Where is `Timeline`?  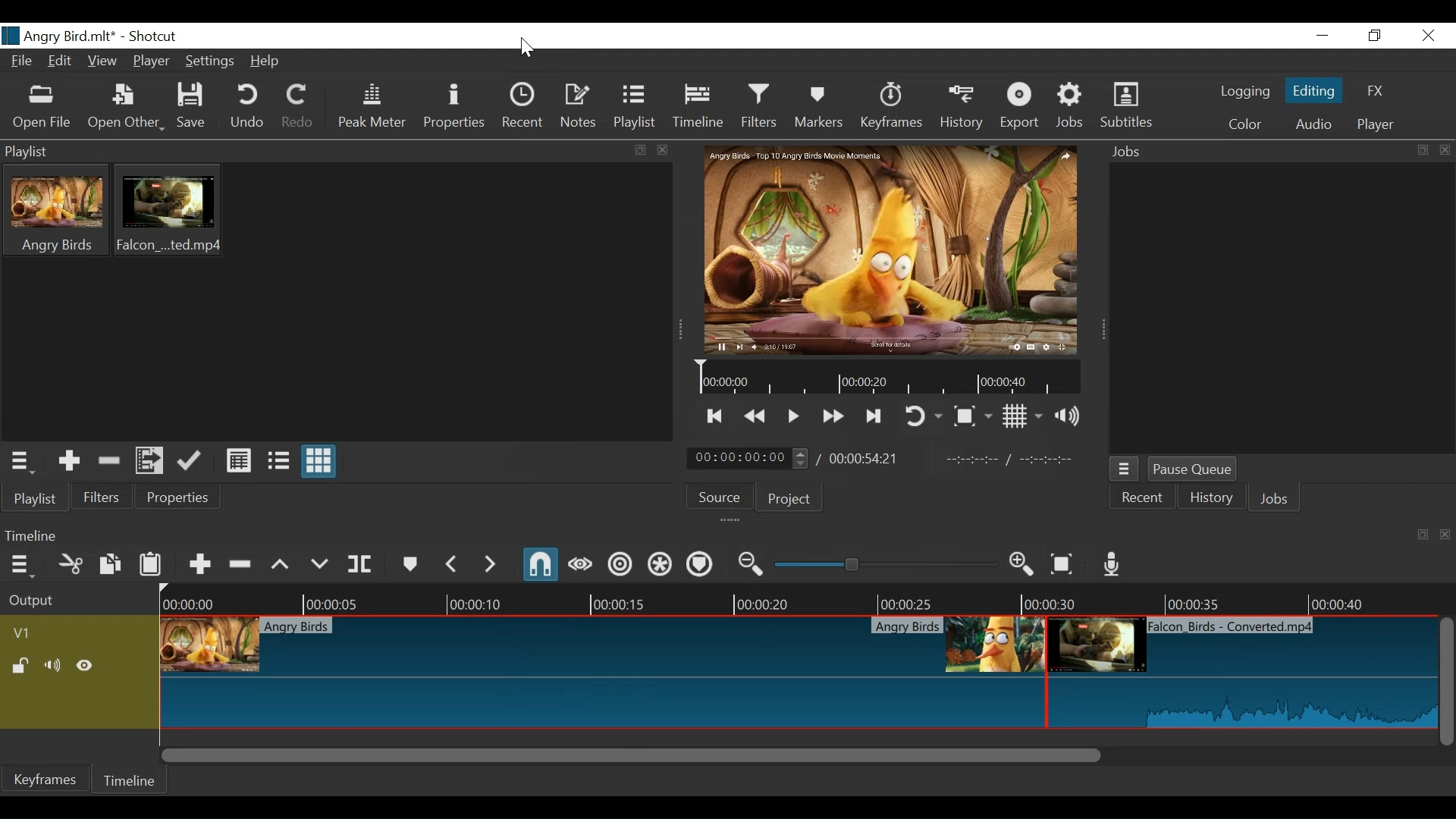 Timeline is located at coordinates (129, 780).